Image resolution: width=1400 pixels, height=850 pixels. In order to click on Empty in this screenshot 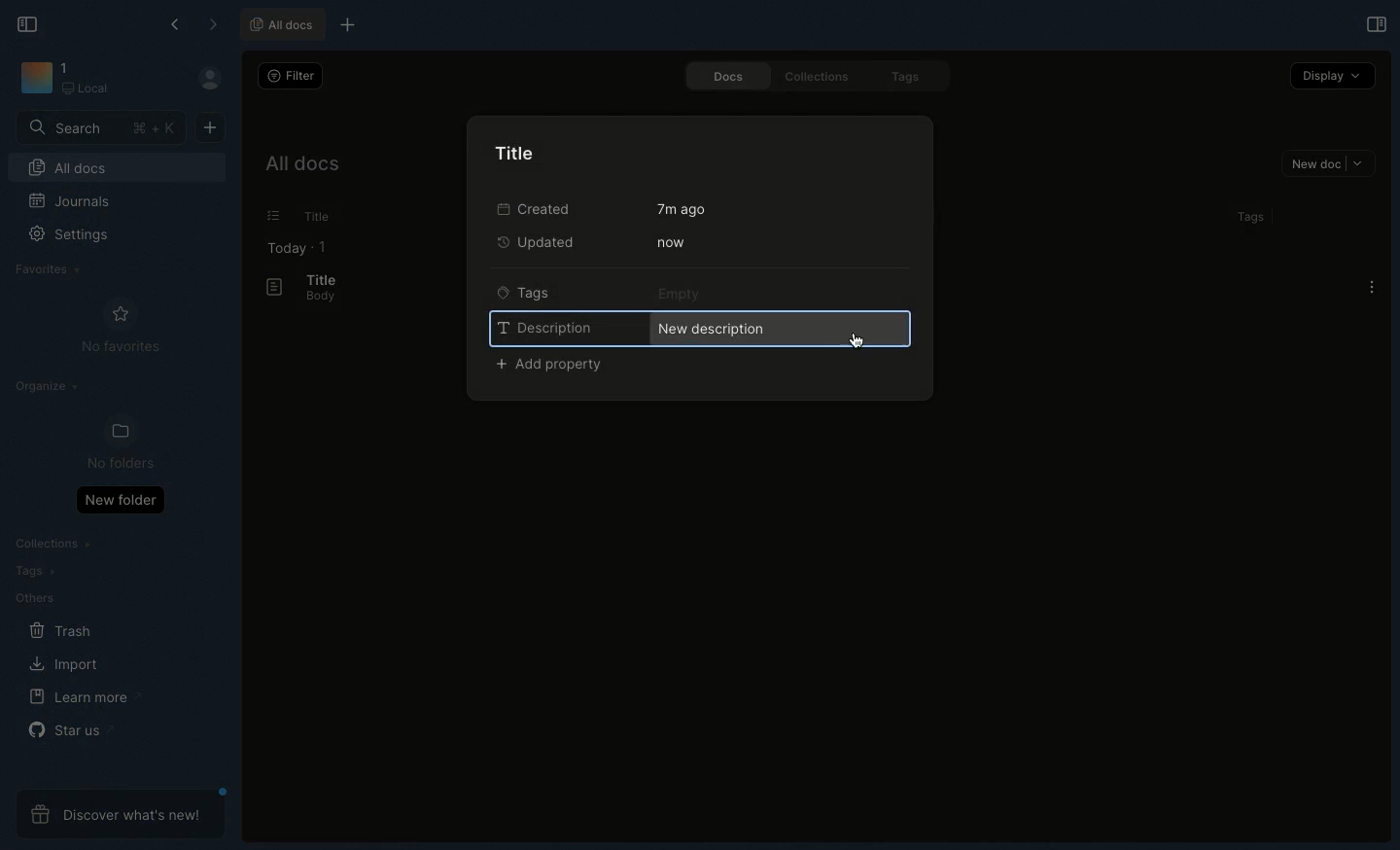, I will do `click(682, 293)`.